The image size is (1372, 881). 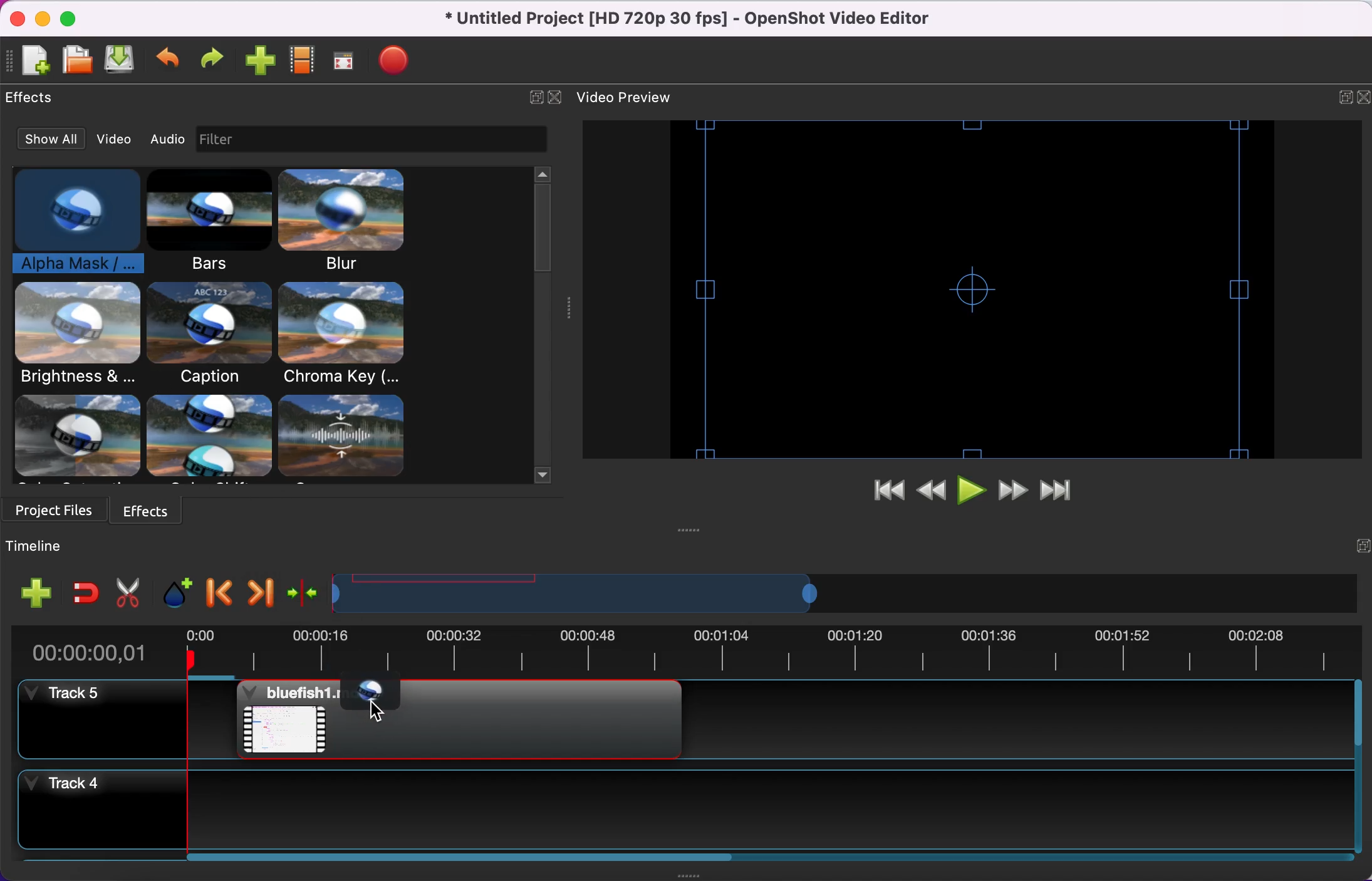 I want to click on video preview, so click(x=965, y=288).